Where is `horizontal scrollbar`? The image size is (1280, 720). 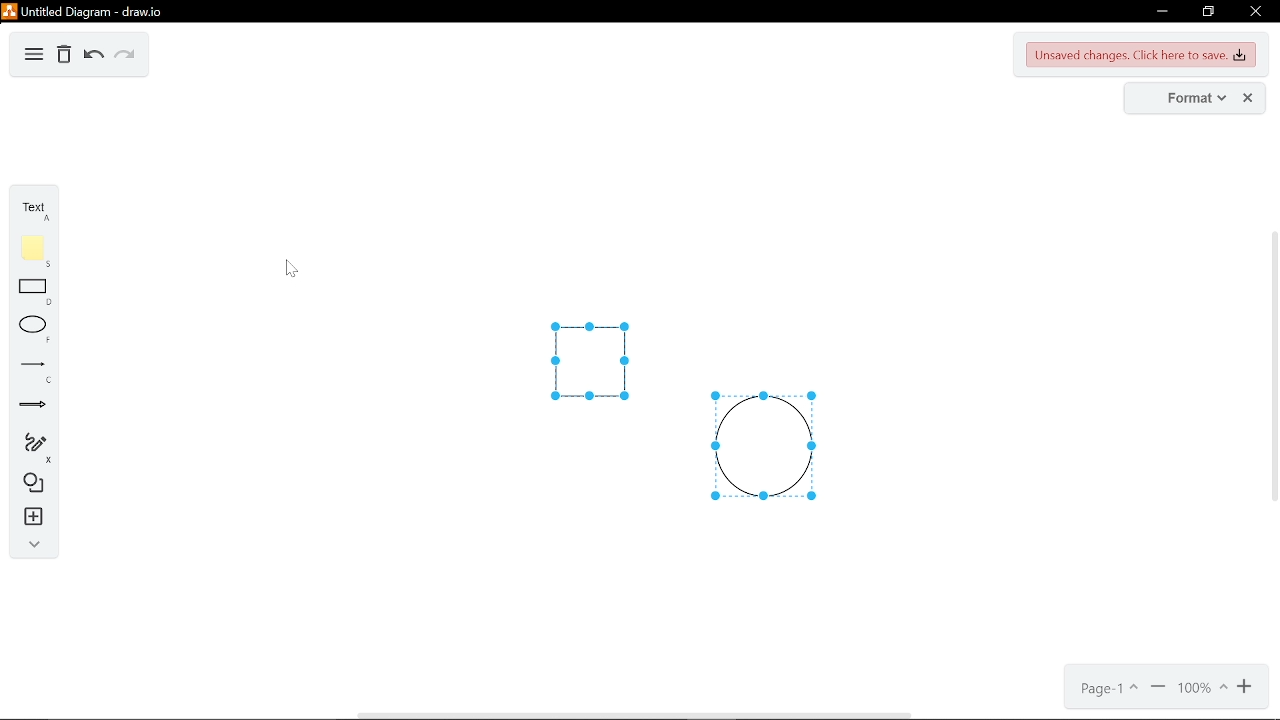 horizontal scrollbar is located at coordinates (635, 715).